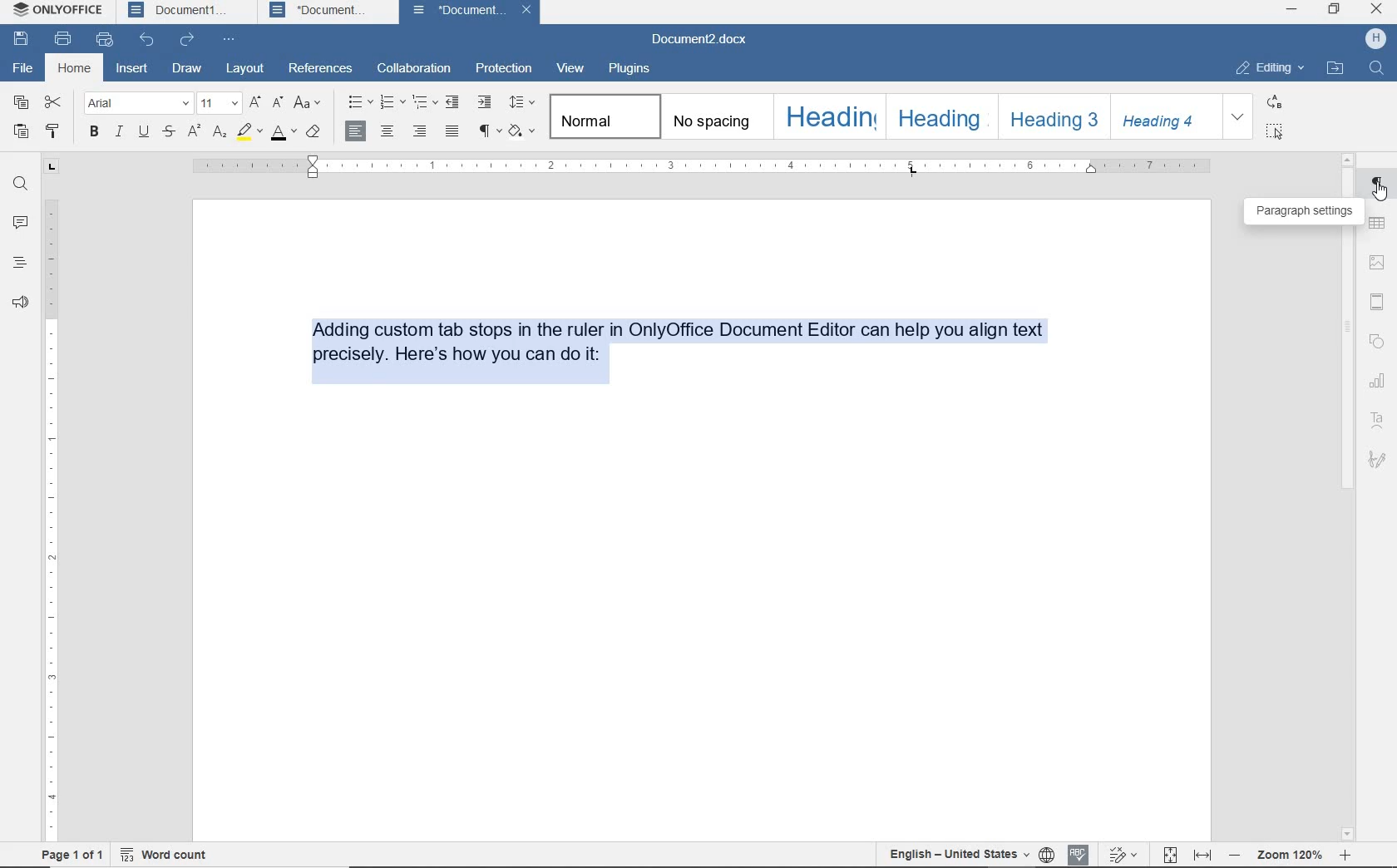 The image size is (1397, 868). I want to click on customize quick access toolbar, so click(232, 41).